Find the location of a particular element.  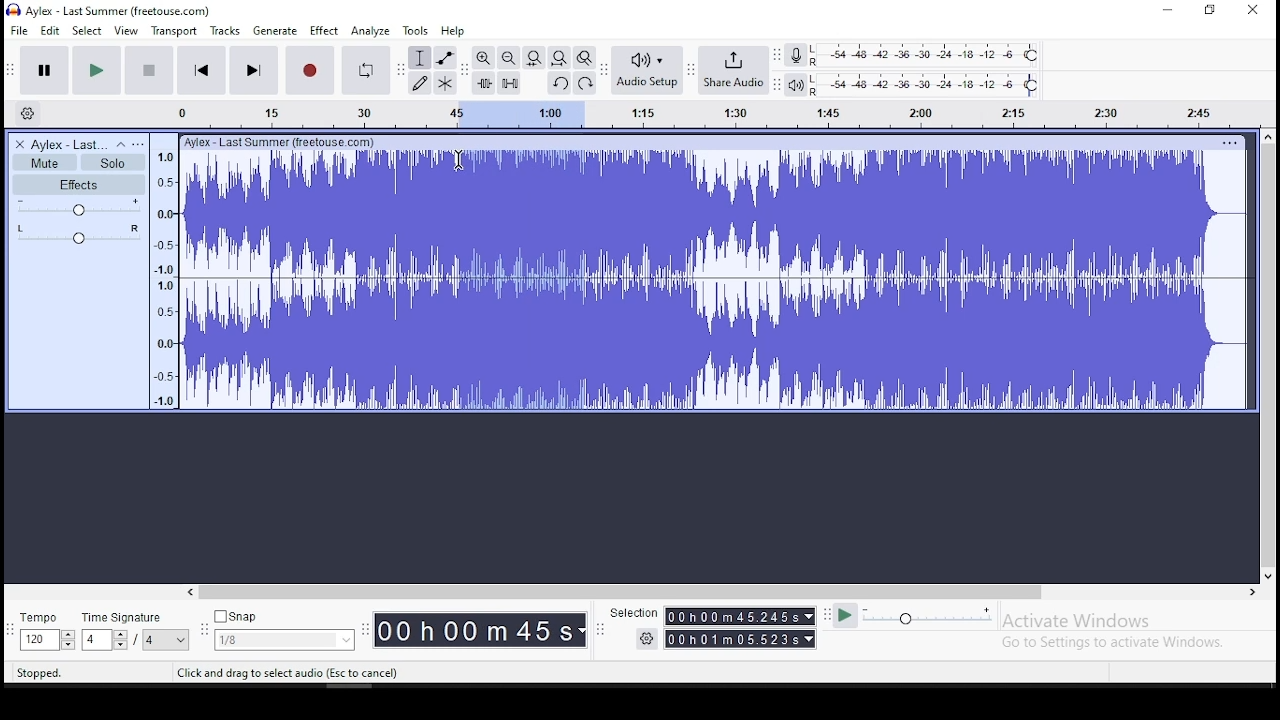

time signature is located at coordinates (136, 633).